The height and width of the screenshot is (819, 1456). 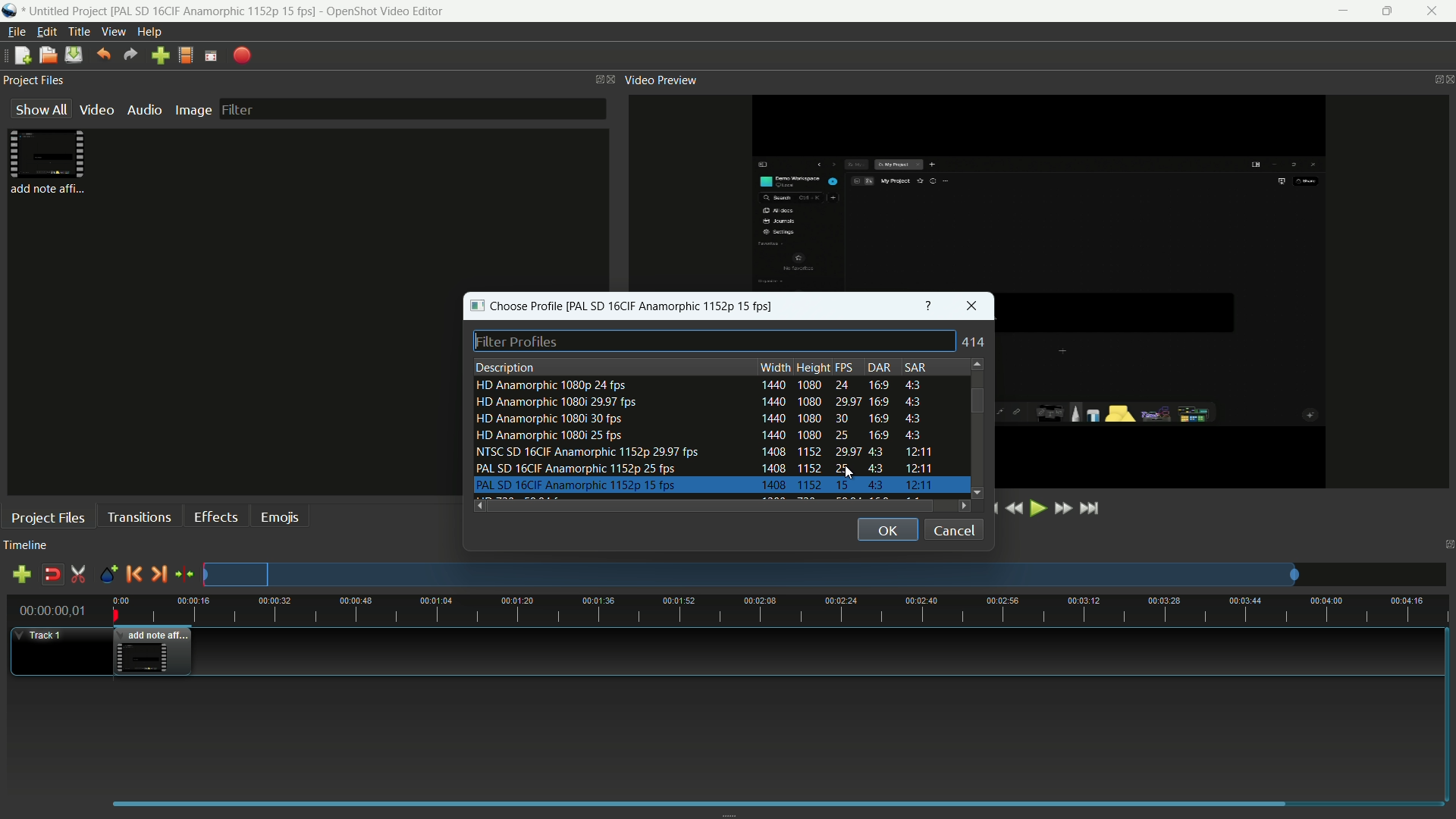 I want to click on jump to end, so click(x=1089, y=508).